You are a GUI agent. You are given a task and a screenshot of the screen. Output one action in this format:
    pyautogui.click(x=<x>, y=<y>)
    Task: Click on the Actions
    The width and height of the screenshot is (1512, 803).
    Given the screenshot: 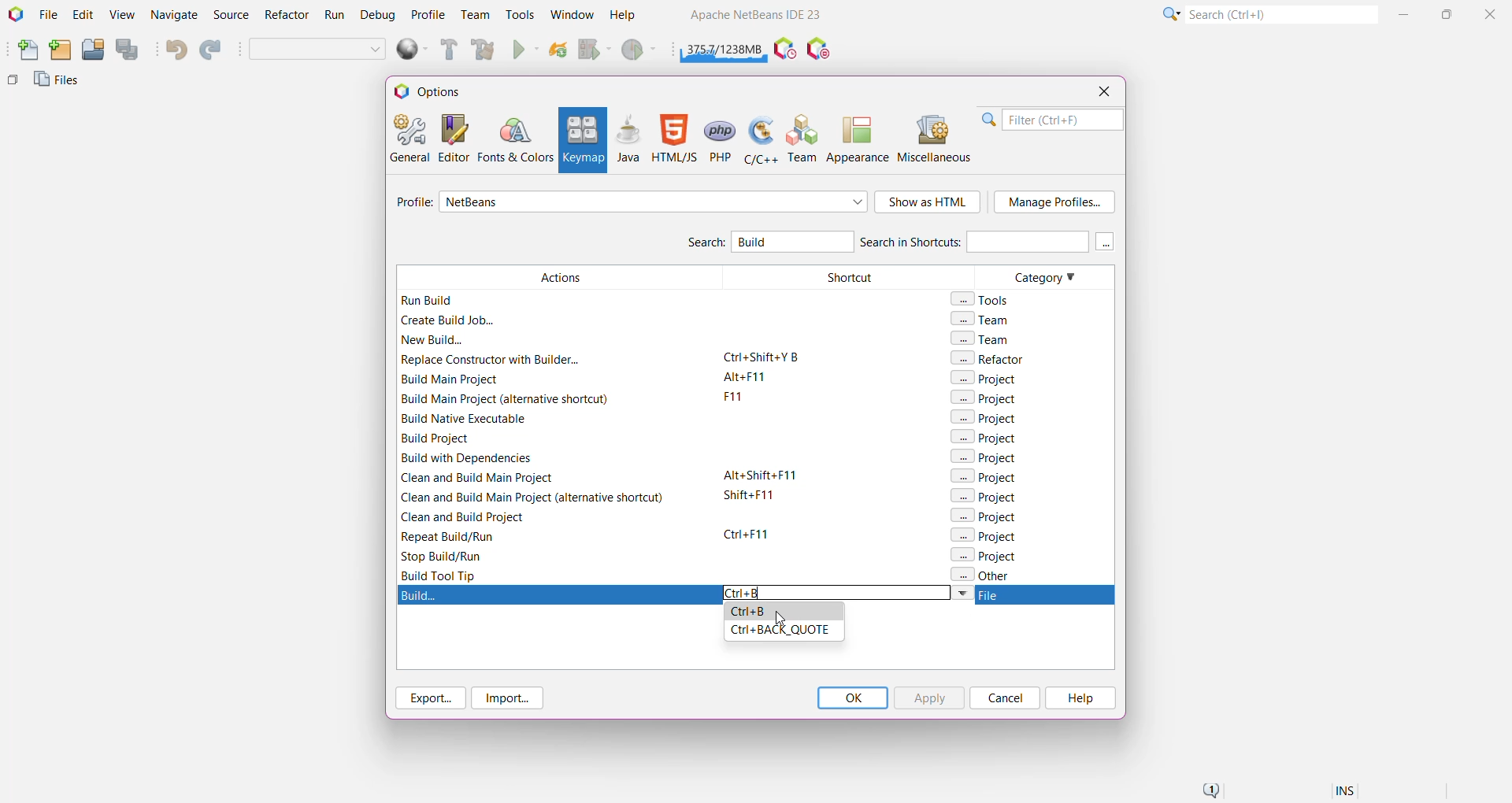 What is the action you would take?
    pyautogui.click(x=554, y=424)
    